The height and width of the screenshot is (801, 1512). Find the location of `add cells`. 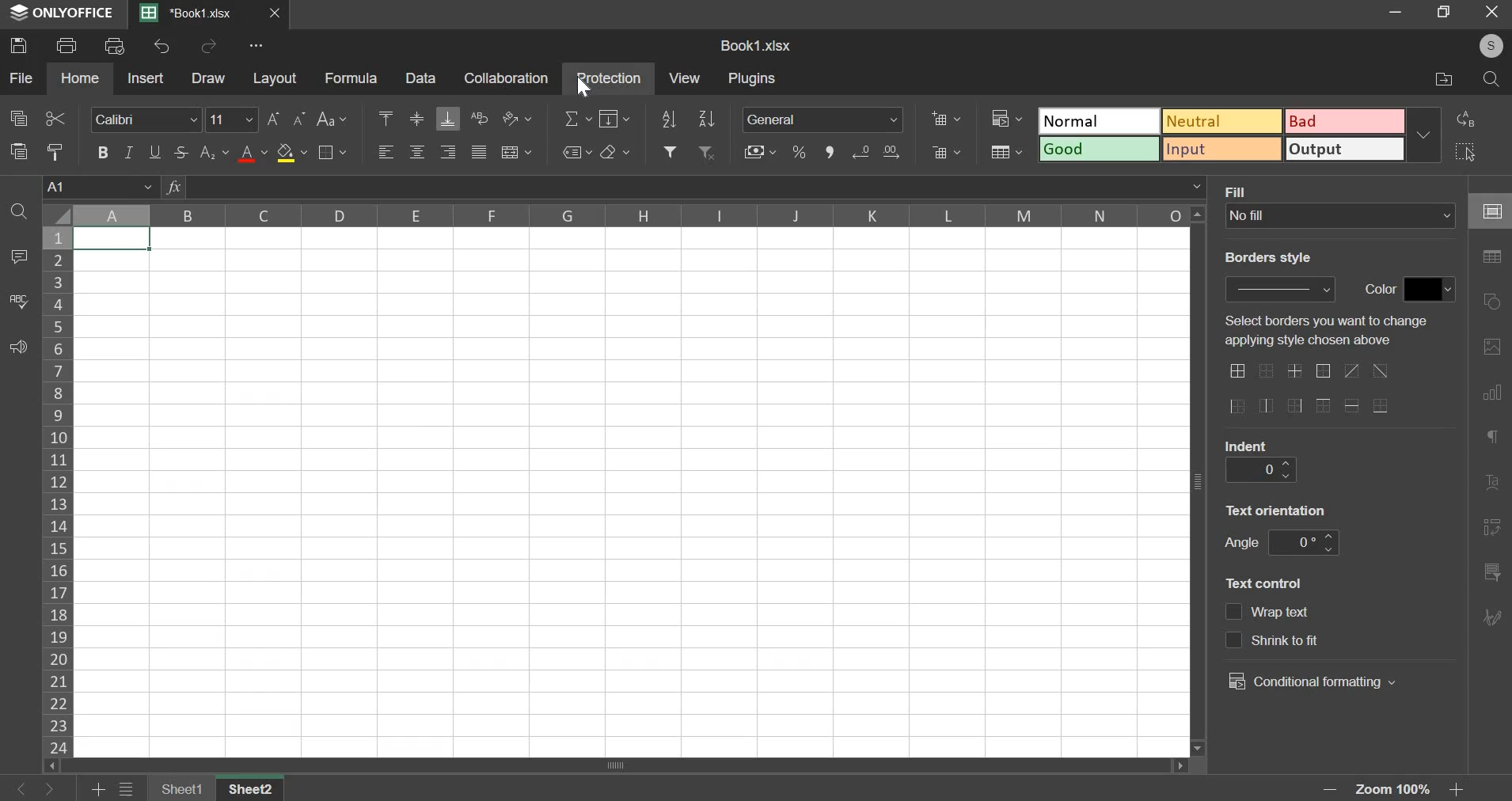

add cells is located at coordinates (945, 118).